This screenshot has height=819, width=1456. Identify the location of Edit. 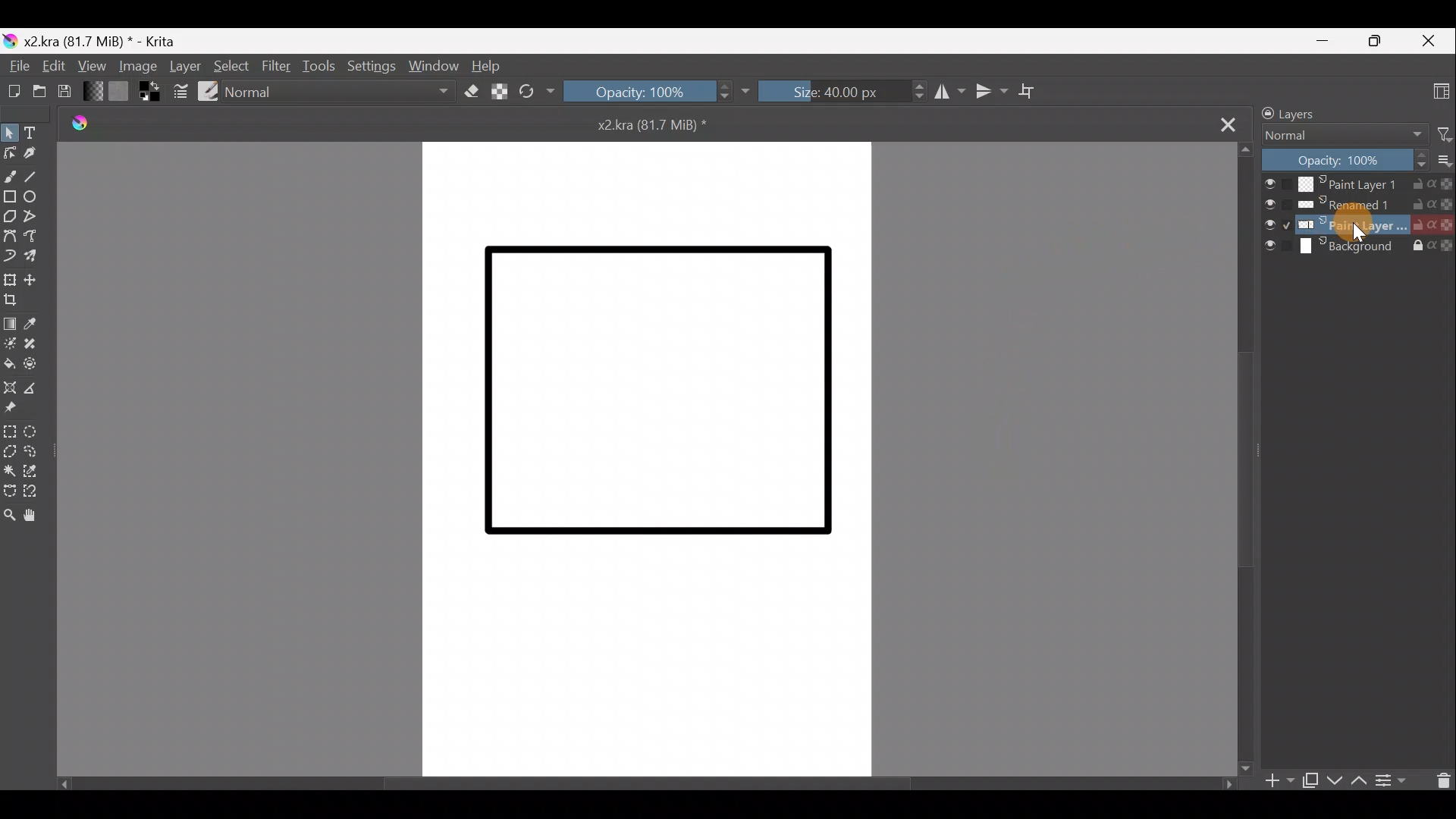
(52, 65).